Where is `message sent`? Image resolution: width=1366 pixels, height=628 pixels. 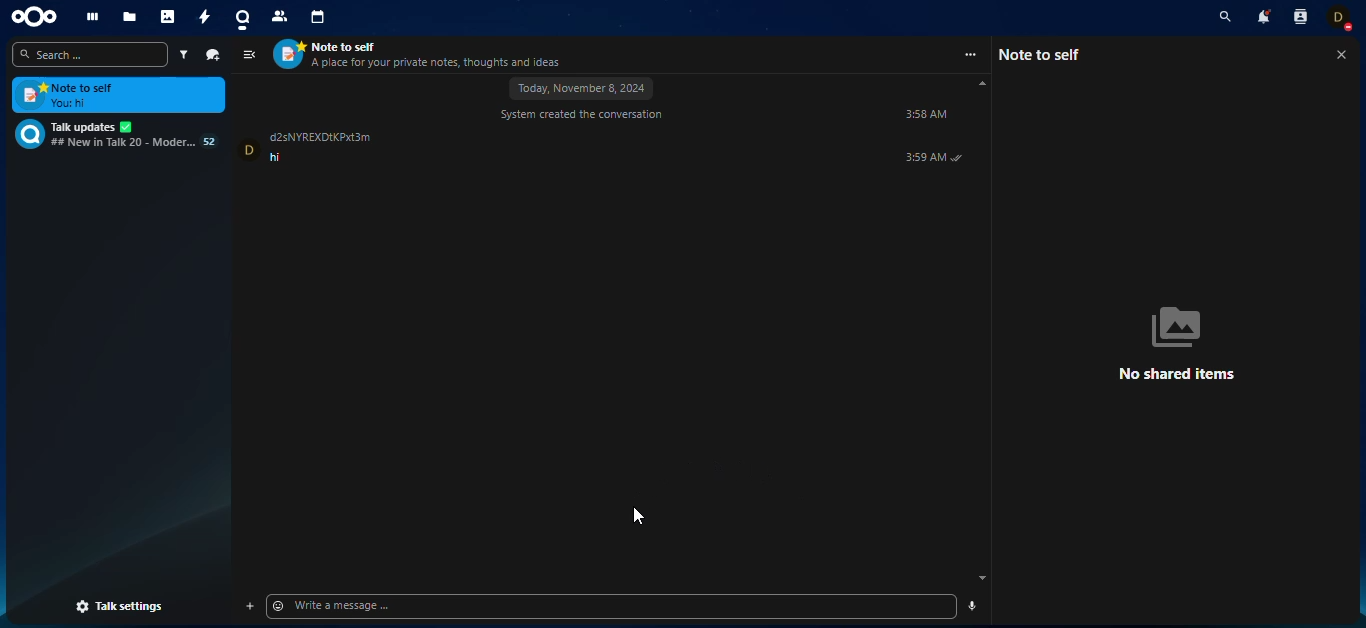
message sent is located at coordinates (76, 104).